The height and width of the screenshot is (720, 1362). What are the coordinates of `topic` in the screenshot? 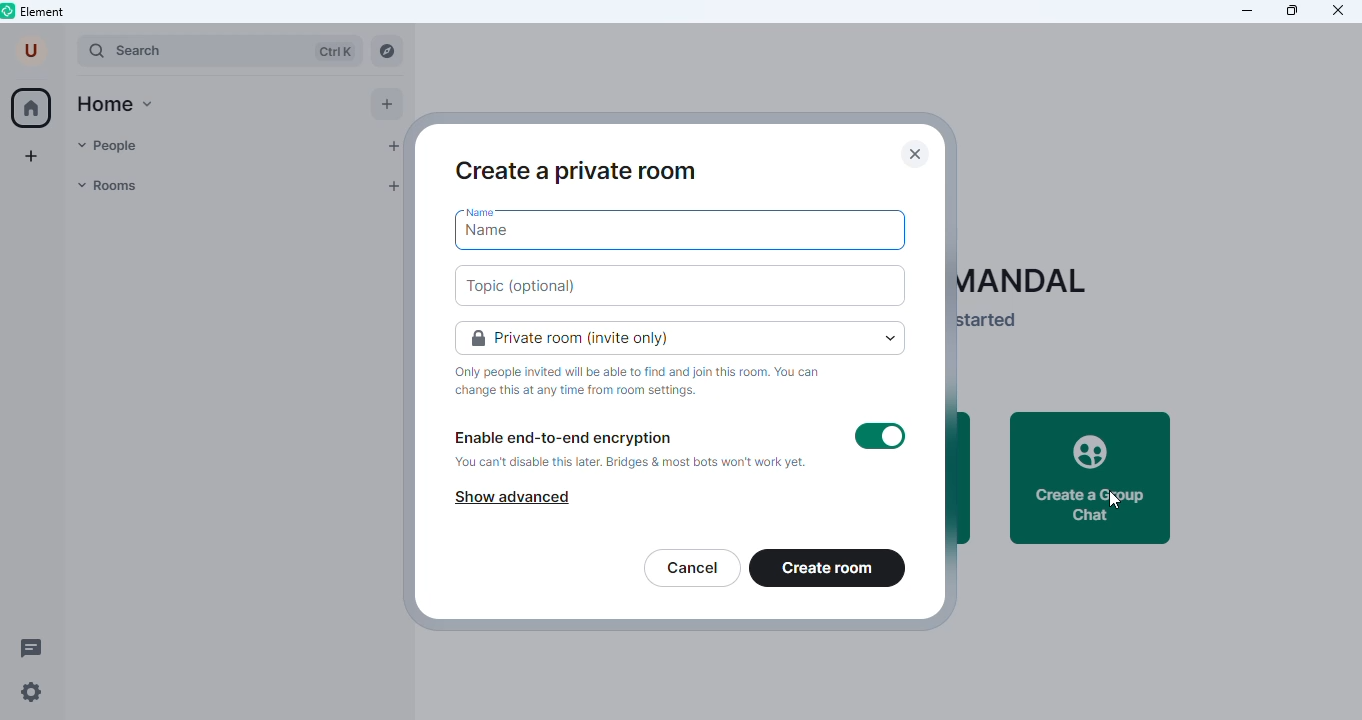 It's located at (683, 286).